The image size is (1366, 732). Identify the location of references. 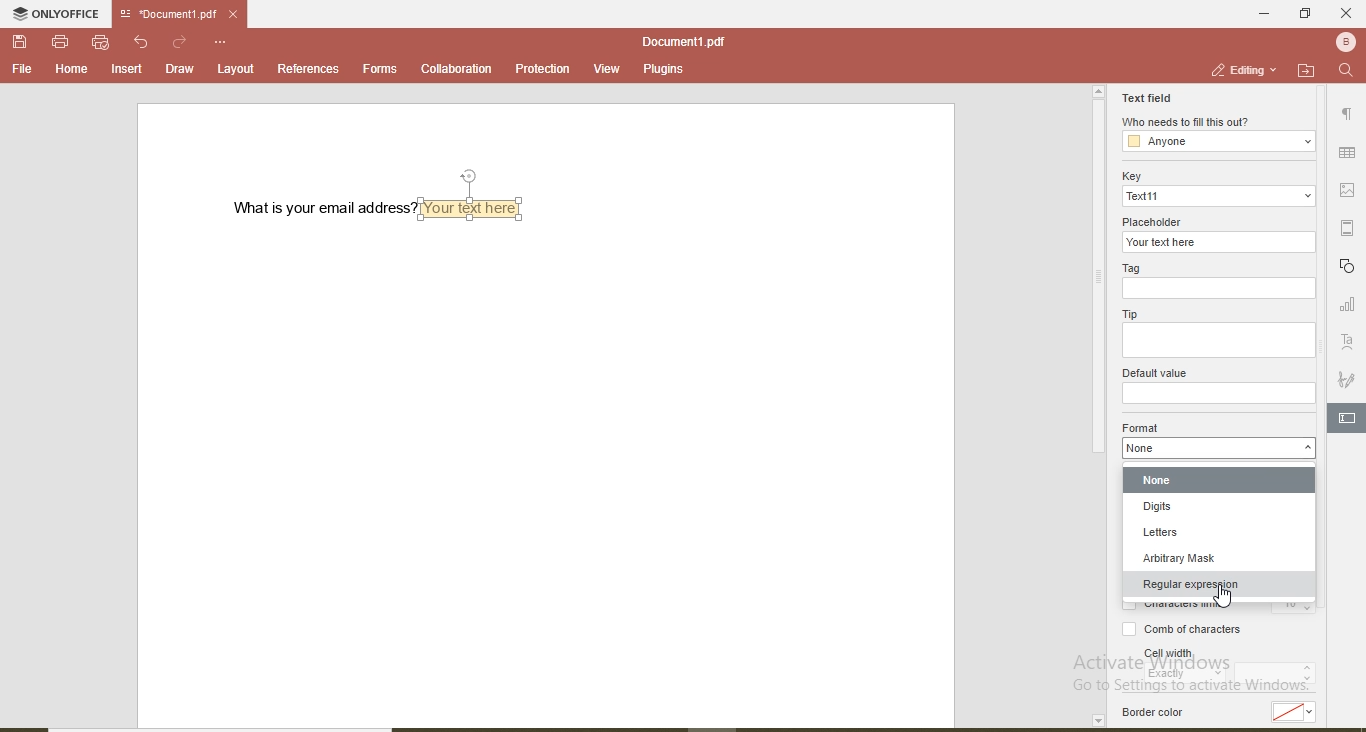
(308, 68).